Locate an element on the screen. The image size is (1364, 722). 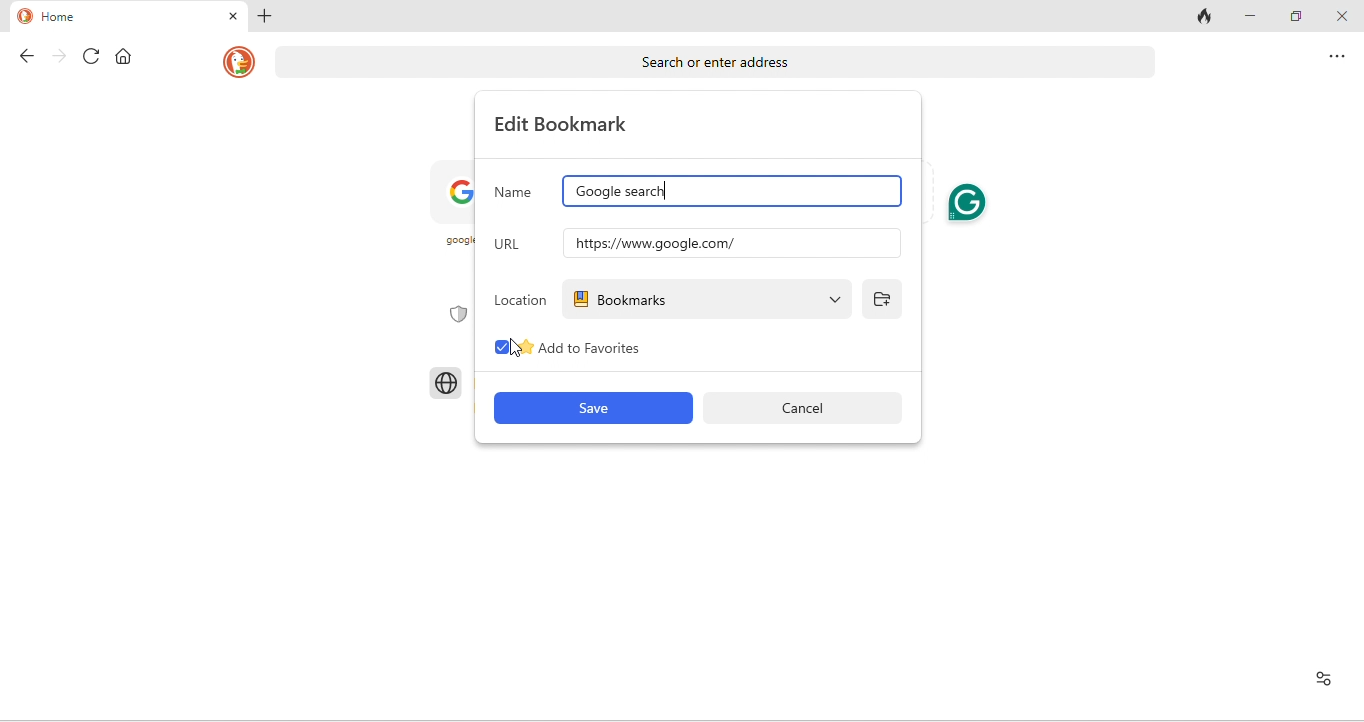
Grammarly is located at coordinates (968, 203).